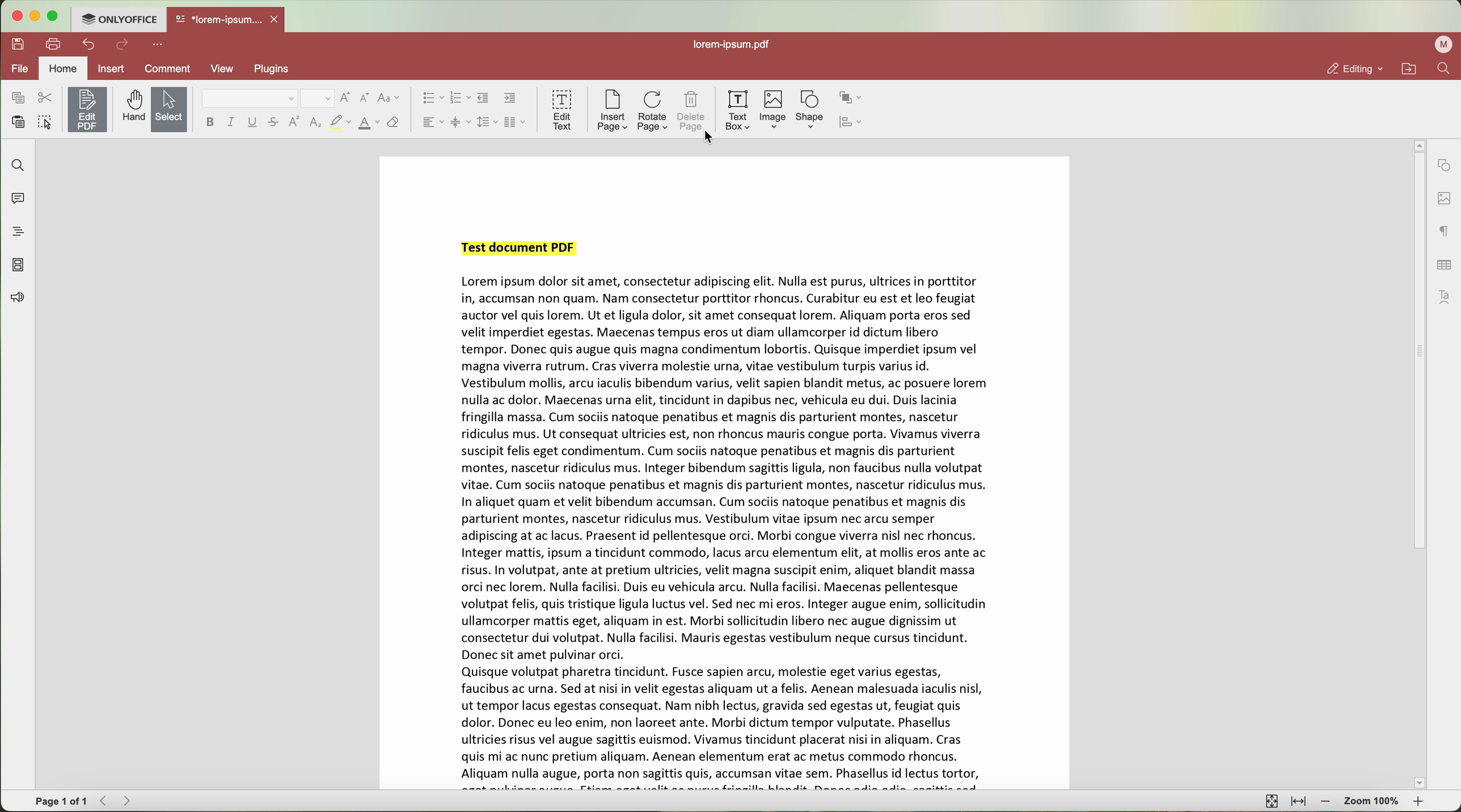  Describe the element at coordinates (273, 124) in the screenshot. I see `strikeout` at that location.